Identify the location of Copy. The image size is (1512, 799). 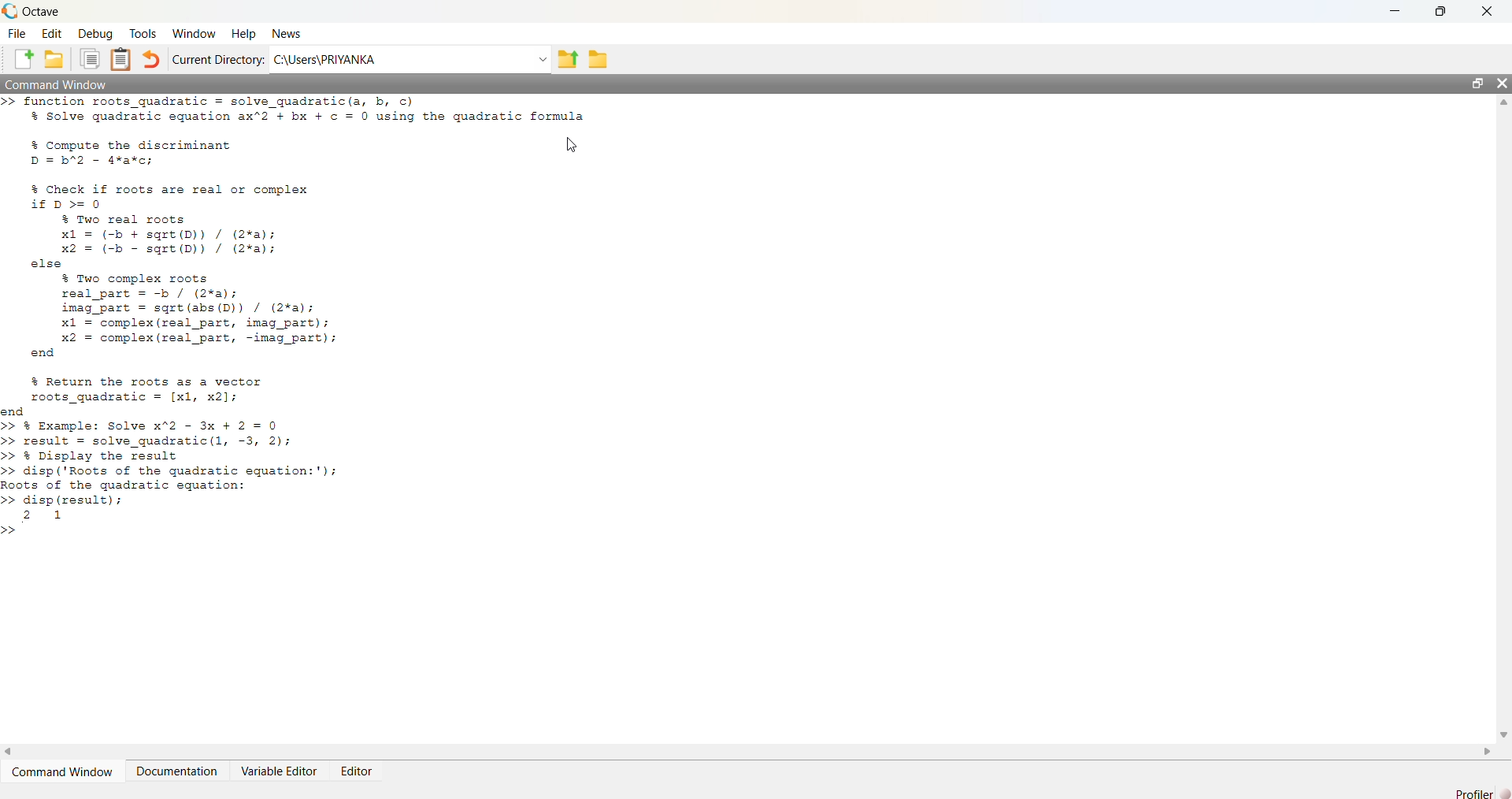
(88, 59).